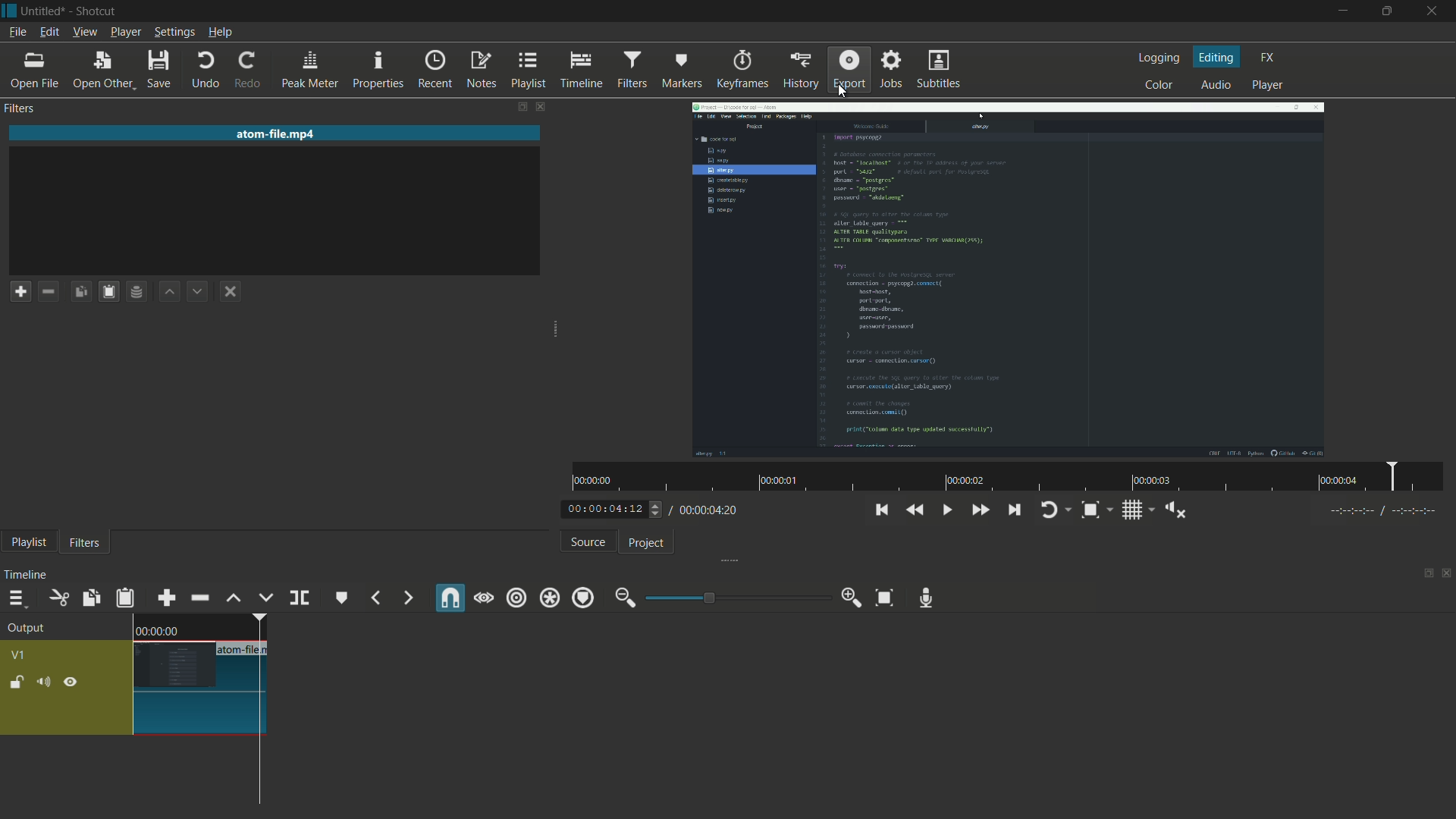 This screenshot has height=819, width=1456. Describe the element at coordinates (736, 598) in the screenshot. I see `adjustment bar` at that location.